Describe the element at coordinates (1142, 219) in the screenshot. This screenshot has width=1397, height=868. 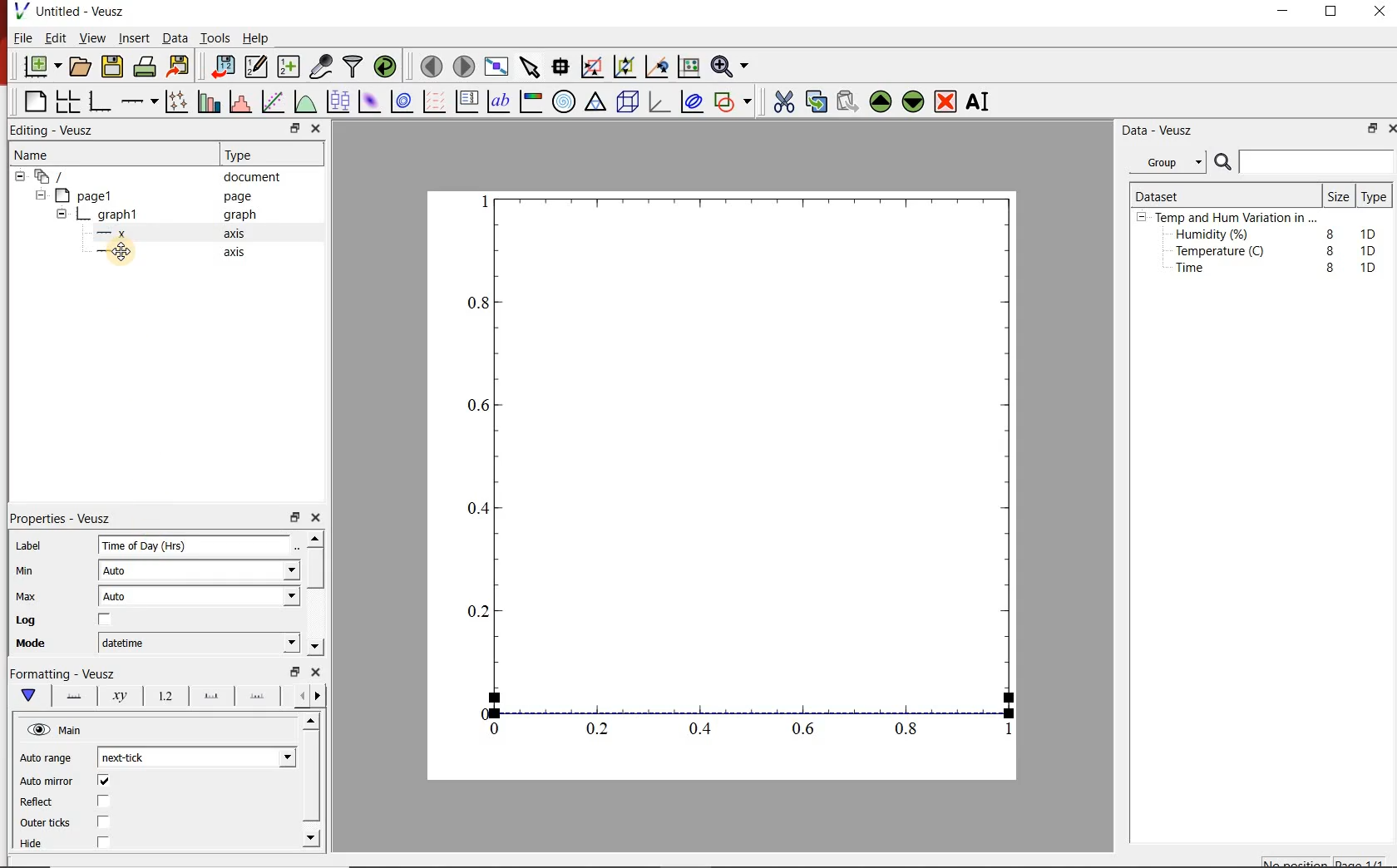
I see `hide sub menu` at that location.